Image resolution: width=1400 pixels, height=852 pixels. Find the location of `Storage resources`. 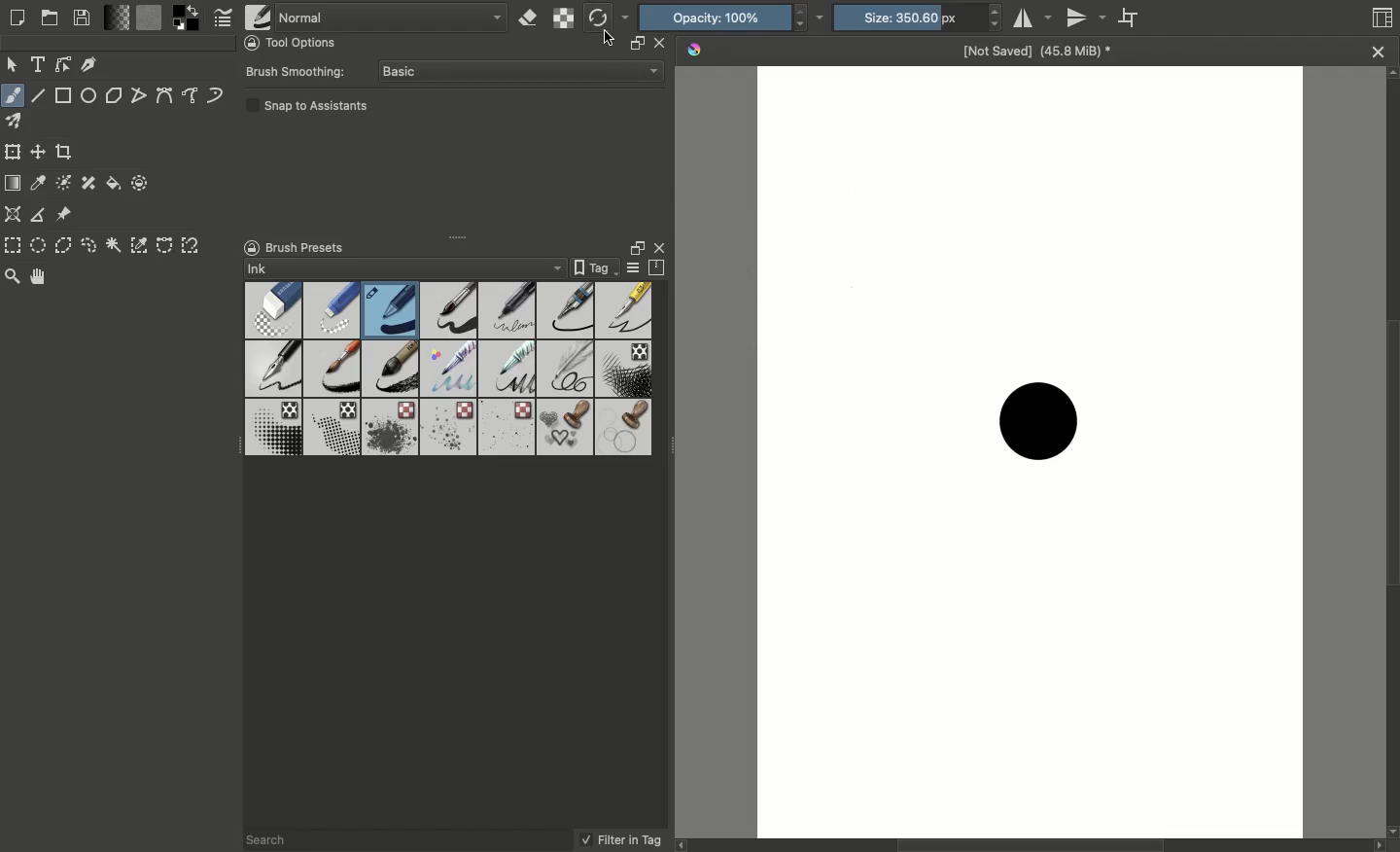

Storage resources is located at coordinates (660, 268).